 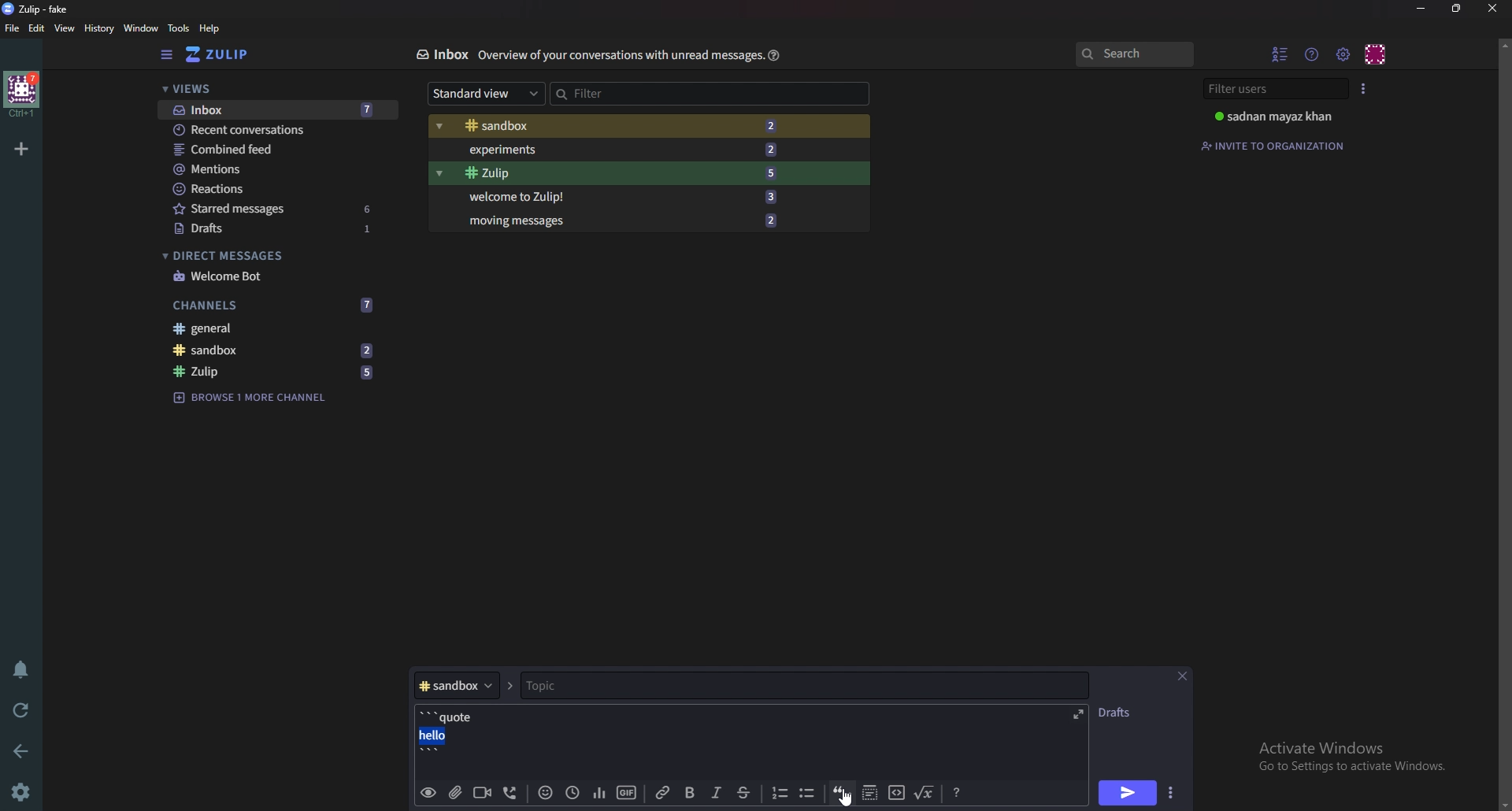 I want to click on Mentions, so click(x=269, y=171).